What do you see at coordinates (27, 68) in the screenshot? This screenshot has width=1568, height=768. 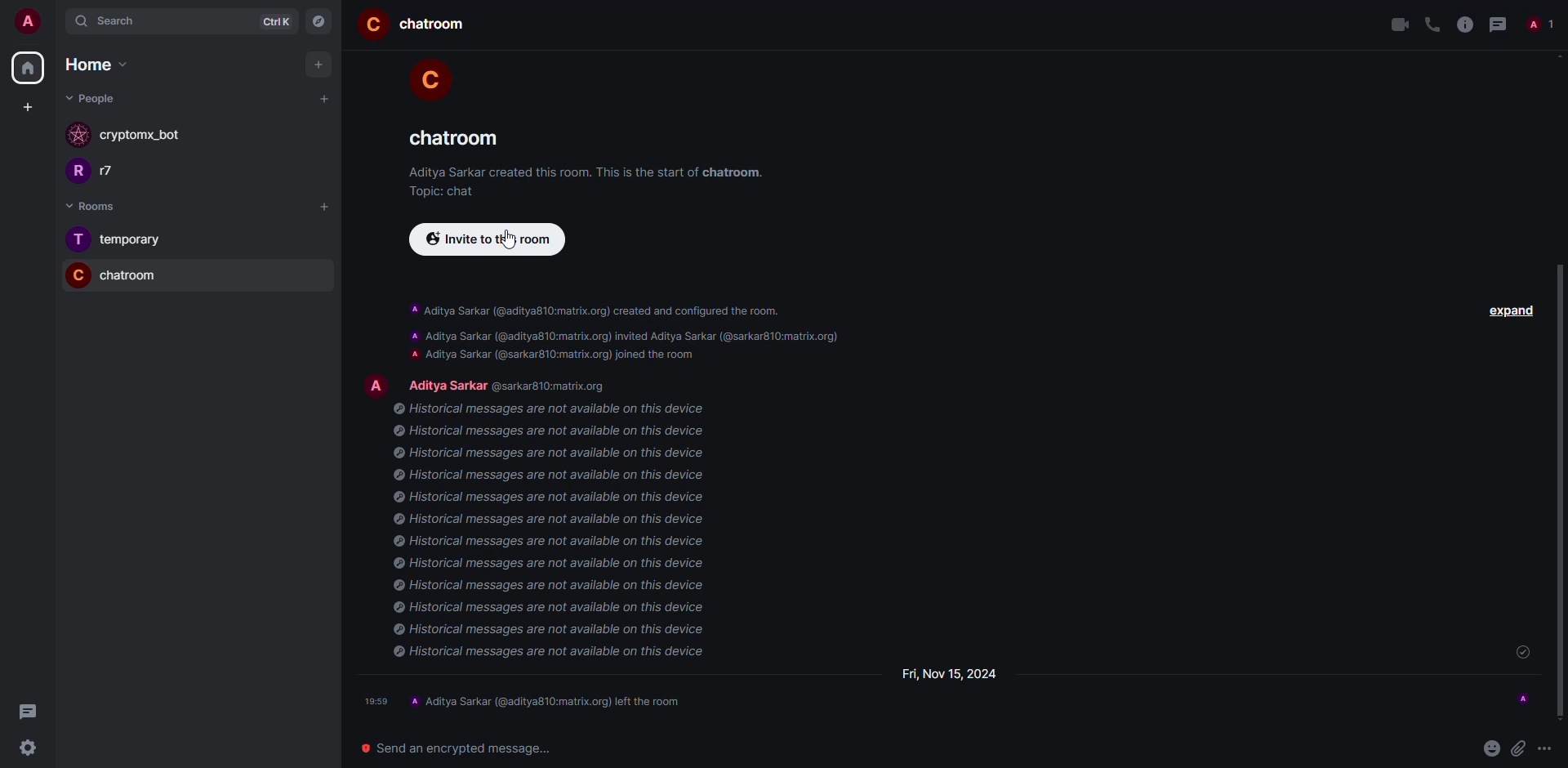 I see `home` at bounding box center [27, 68].